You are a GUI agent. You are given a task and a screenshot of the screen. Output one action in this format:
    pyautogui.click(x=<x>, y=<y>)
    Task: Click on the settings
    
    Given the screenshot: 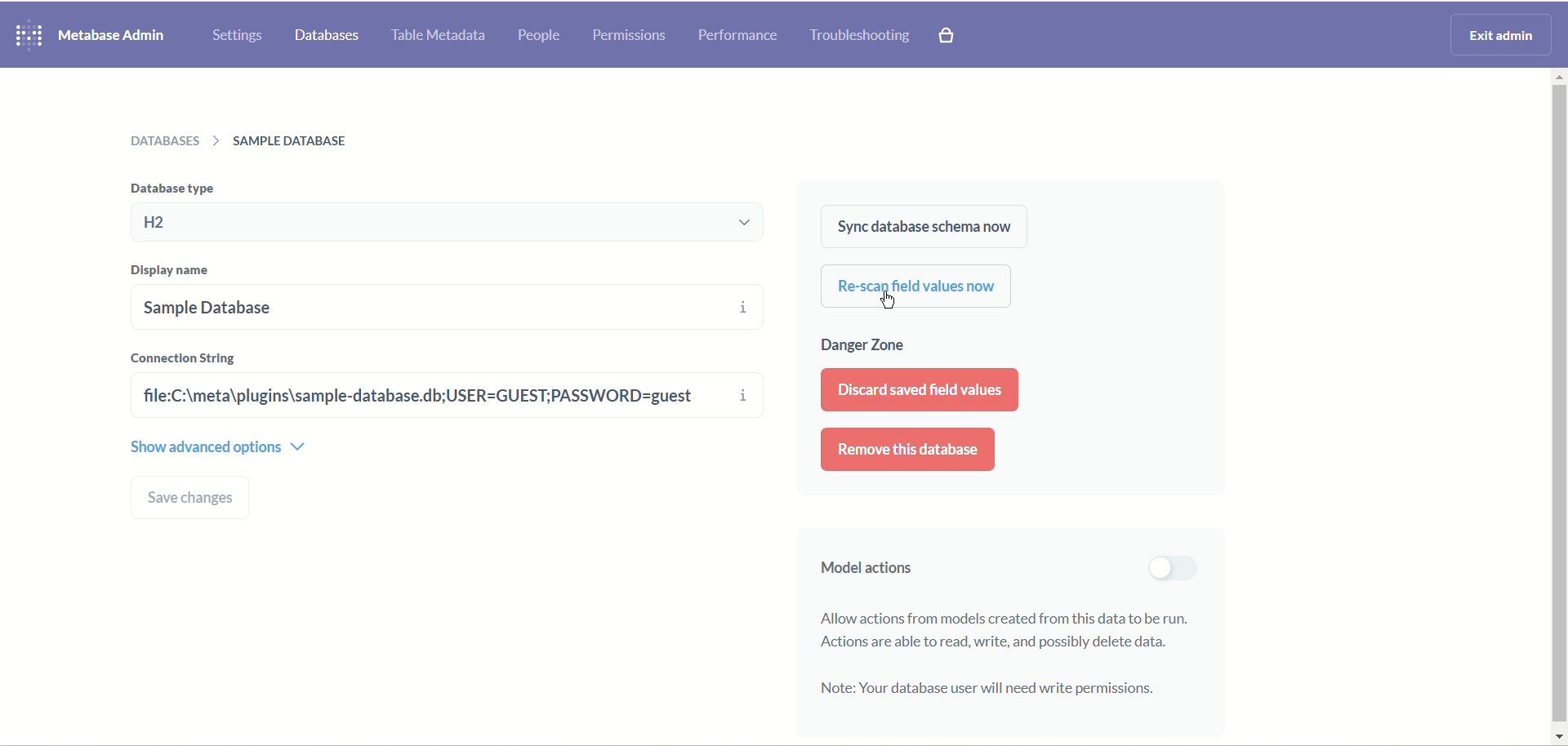 What is the action you would take?
    pyautogui.click(x=238, y=35)
    